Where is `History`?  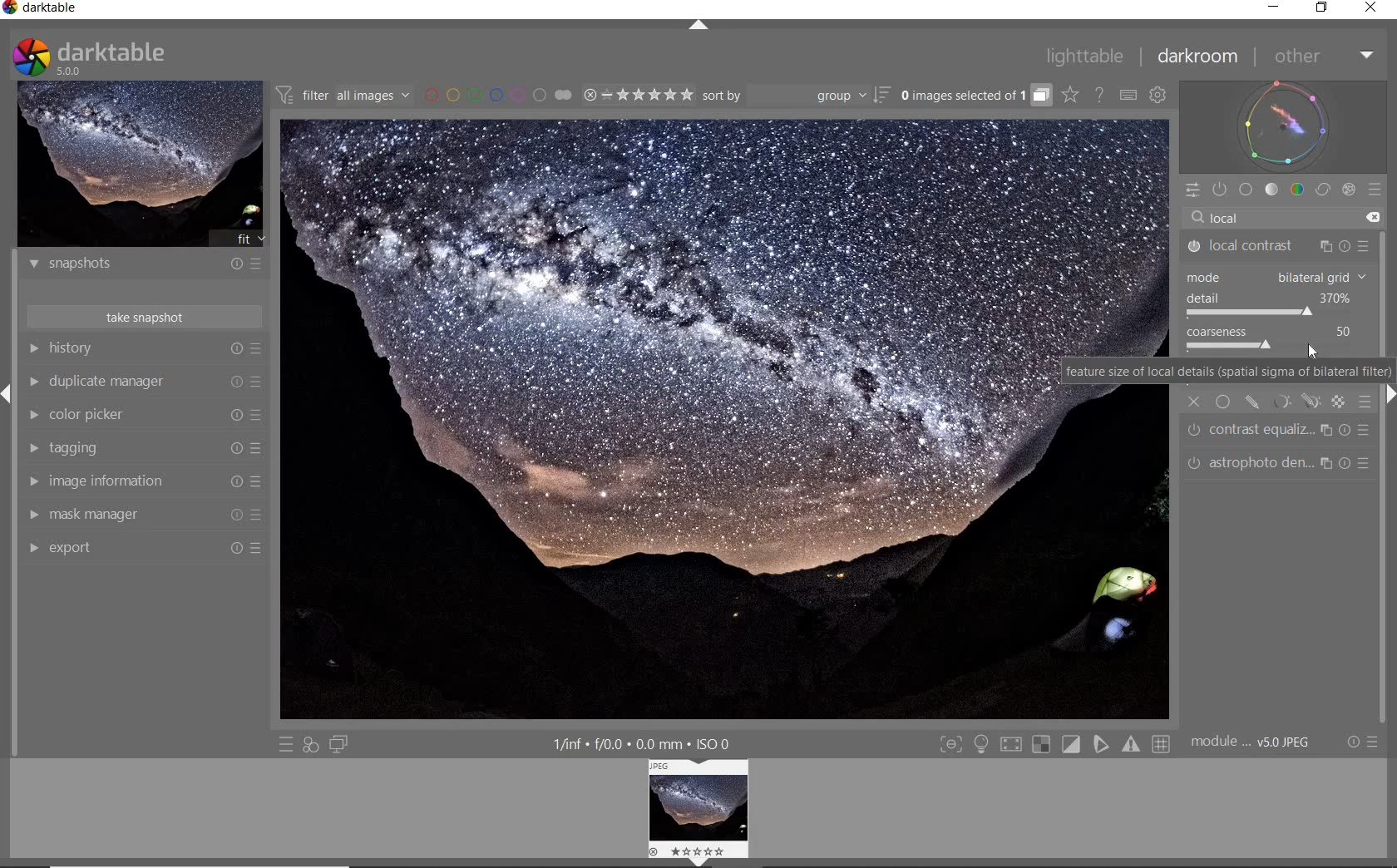
History is located at coordinates (86, 349).